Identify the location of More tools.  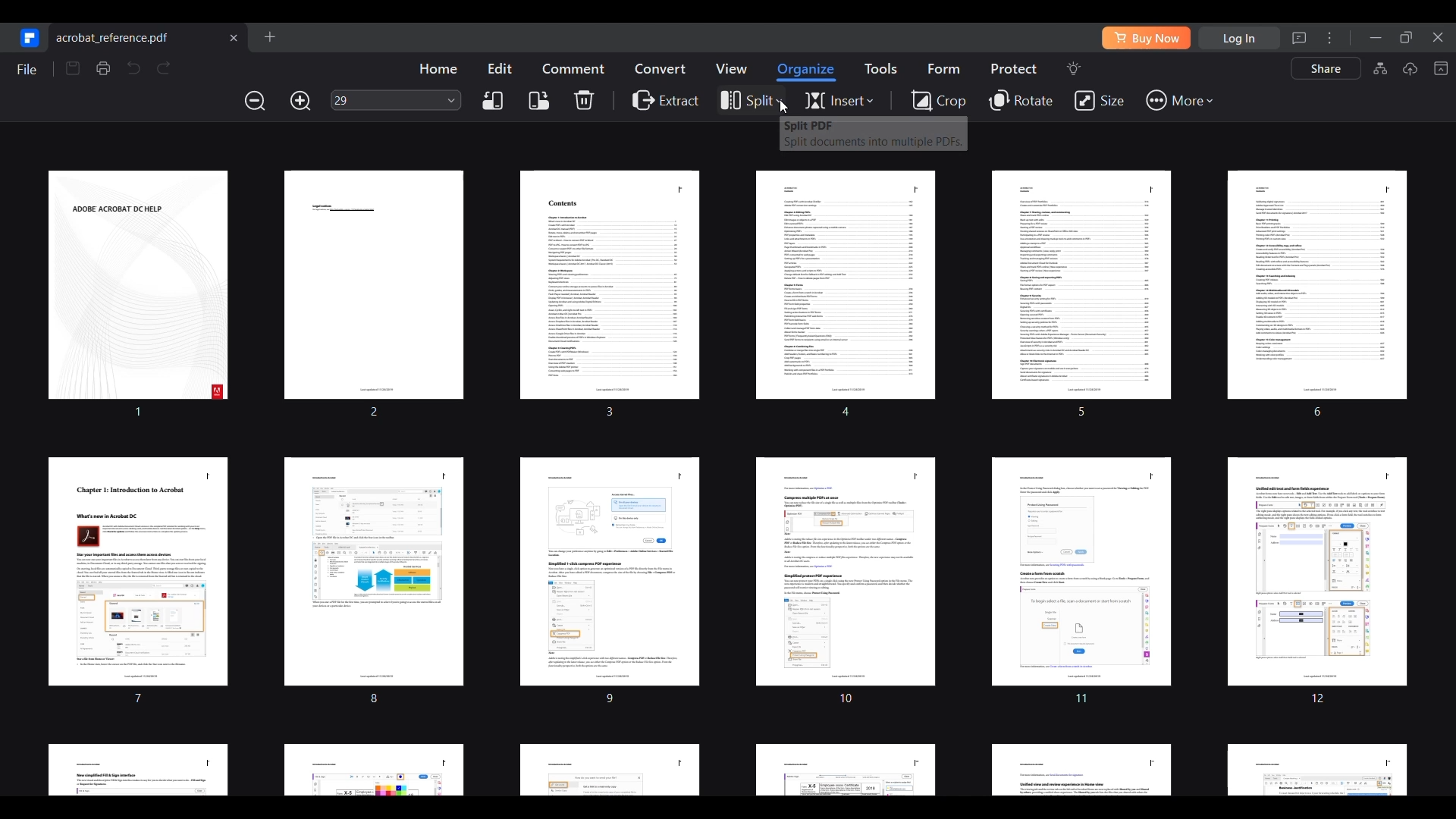
(1178, 101).